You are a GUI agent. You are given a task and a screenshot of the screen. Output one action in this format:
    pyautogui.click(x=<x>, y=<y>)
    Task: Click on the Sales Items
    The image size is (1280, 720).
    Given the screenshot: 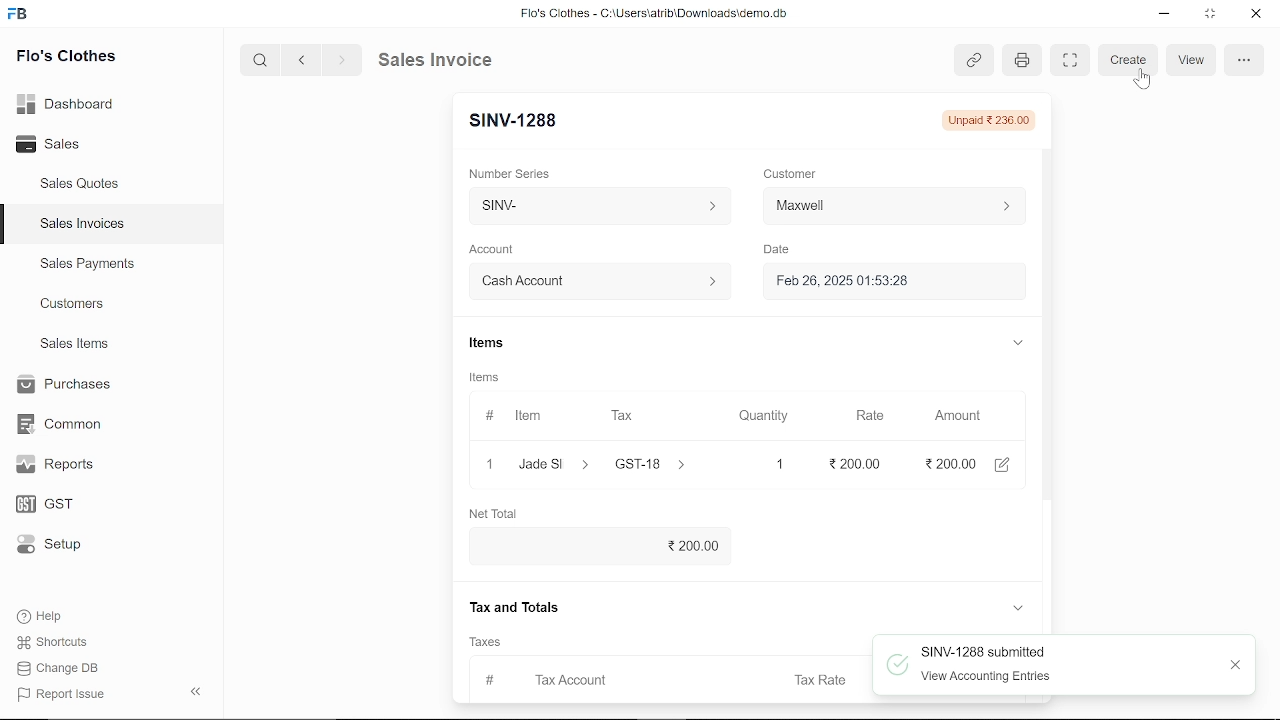 What is the action you would take?
    pyautogui.click(x=74, y=346)
    